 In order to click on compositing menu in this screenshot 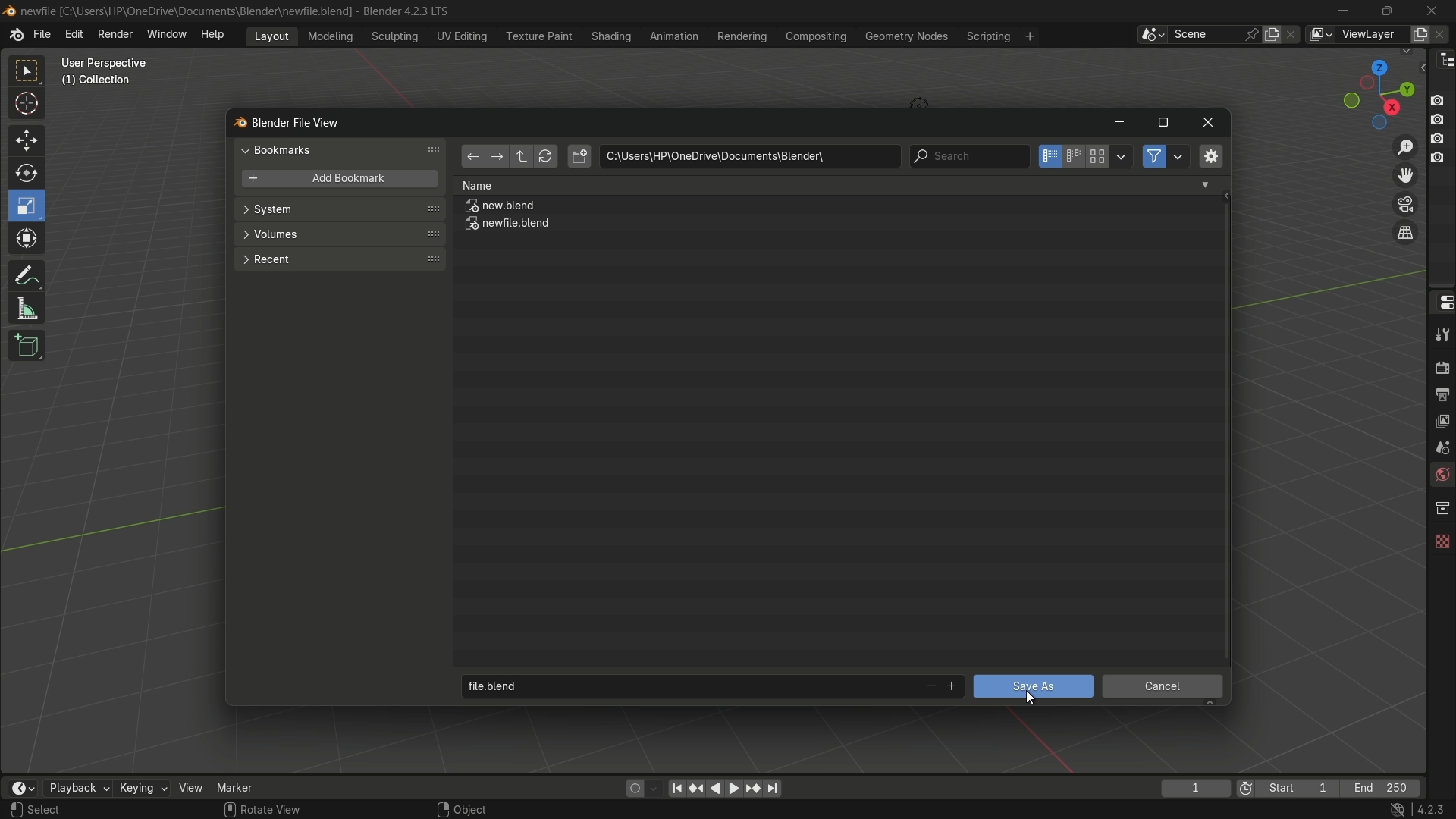, I will do `click(817, 36)`.